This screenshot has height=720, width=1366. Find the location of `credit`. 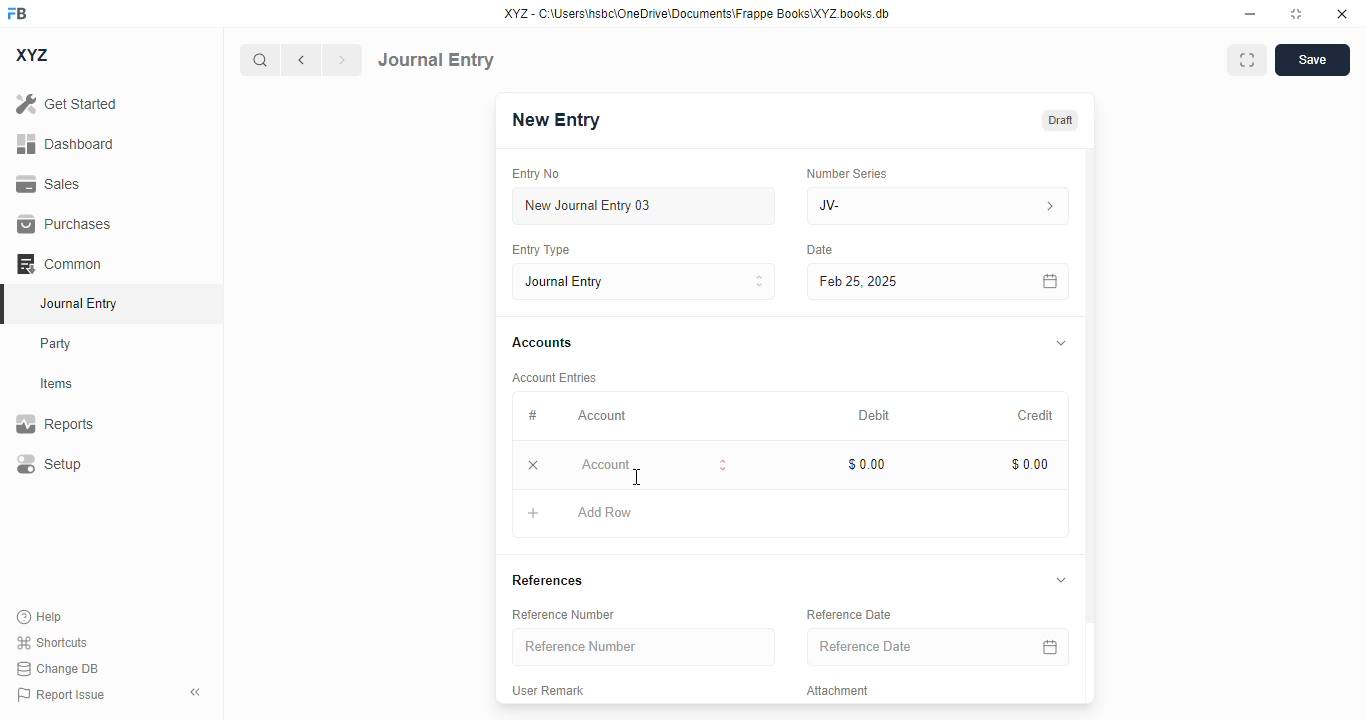

credit is located at coordinates (1037, 416).